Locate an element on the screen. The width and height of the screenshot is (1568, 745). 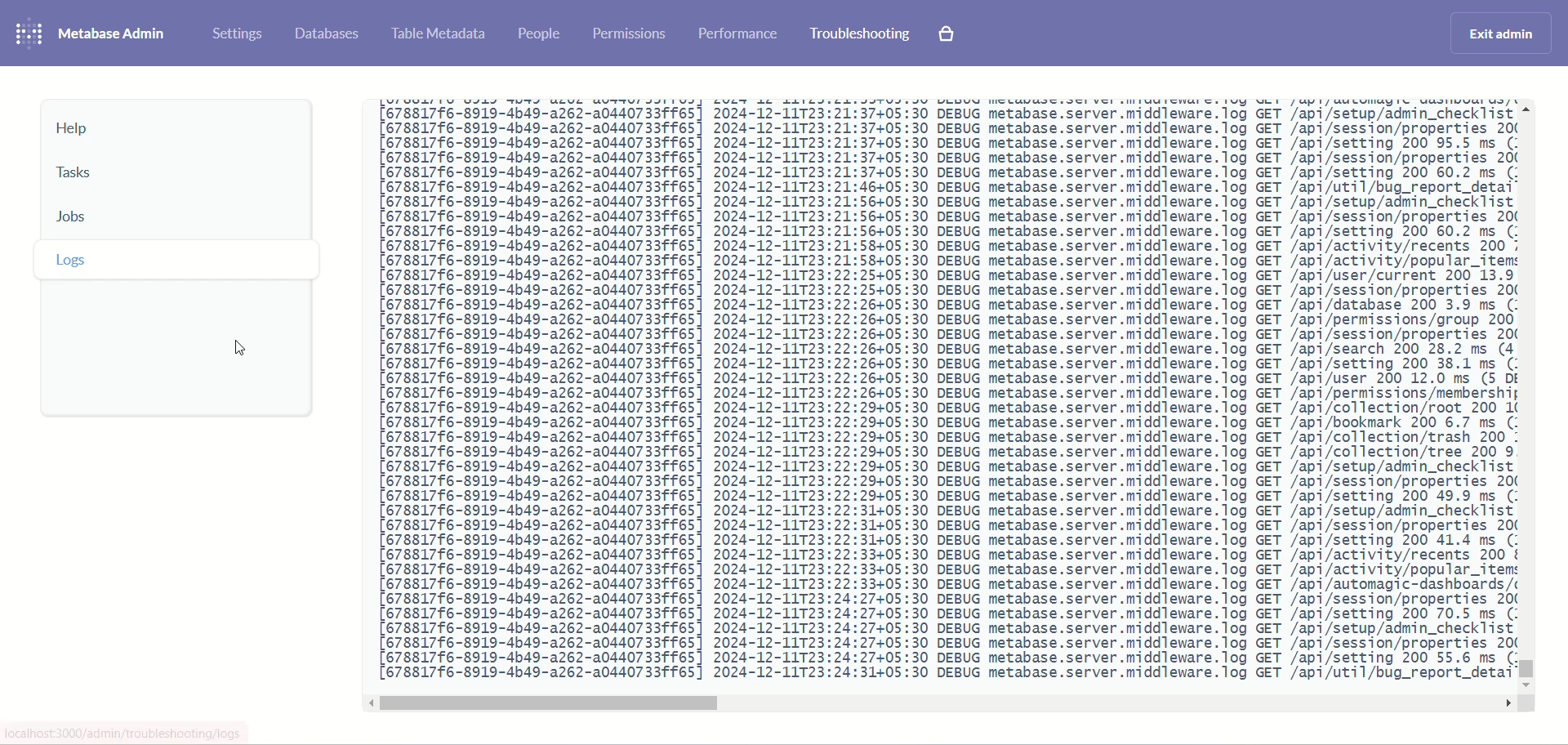
logo is located at coordinates (28, 33).